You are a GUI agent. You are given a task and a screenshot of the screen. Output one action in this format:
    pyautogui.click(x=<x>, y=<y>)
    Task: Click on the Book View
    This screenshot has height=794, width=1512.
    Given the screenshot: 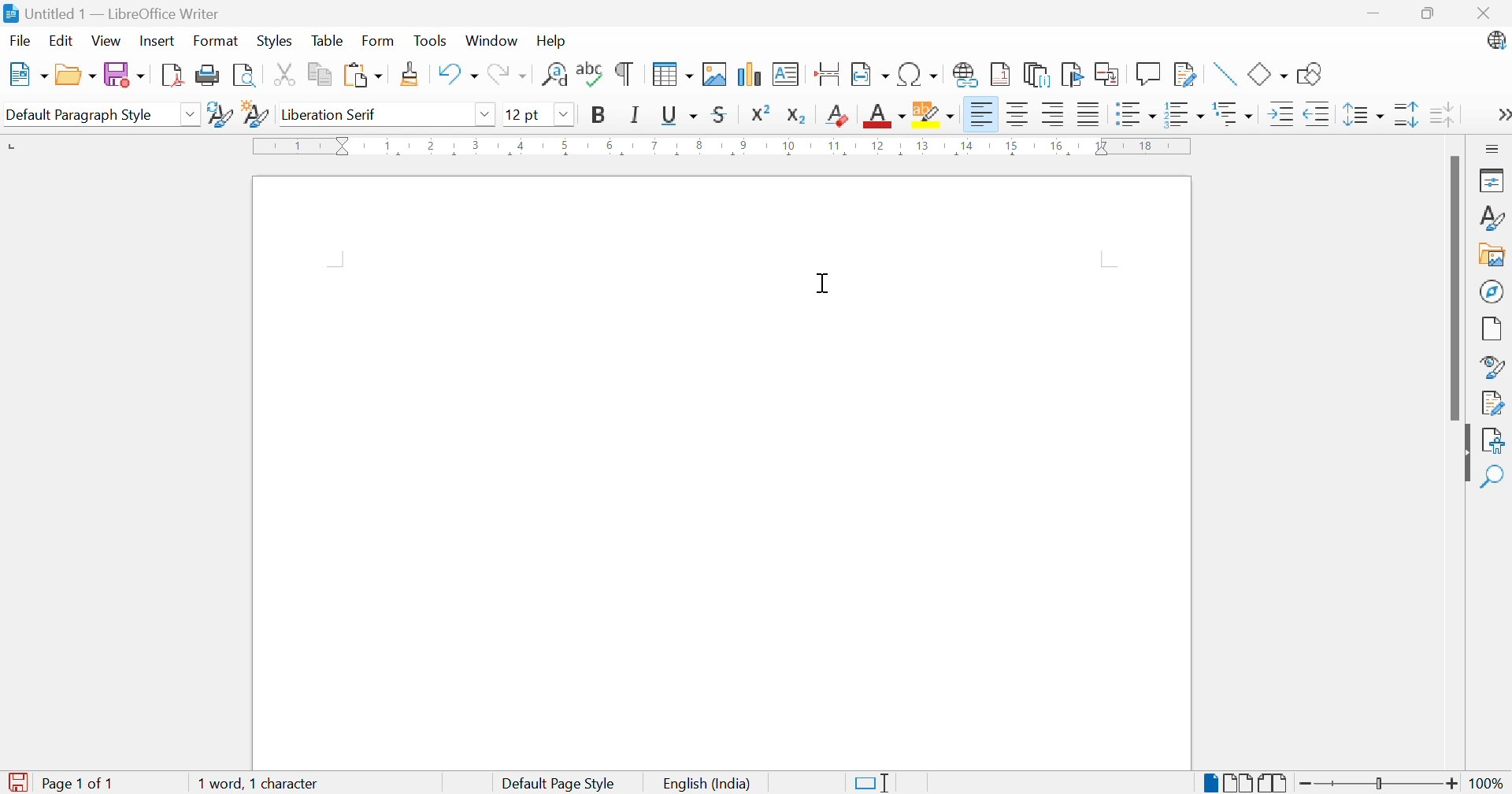 What is the action you would take?
    pyautogui.click(x=1277, y=781)
    